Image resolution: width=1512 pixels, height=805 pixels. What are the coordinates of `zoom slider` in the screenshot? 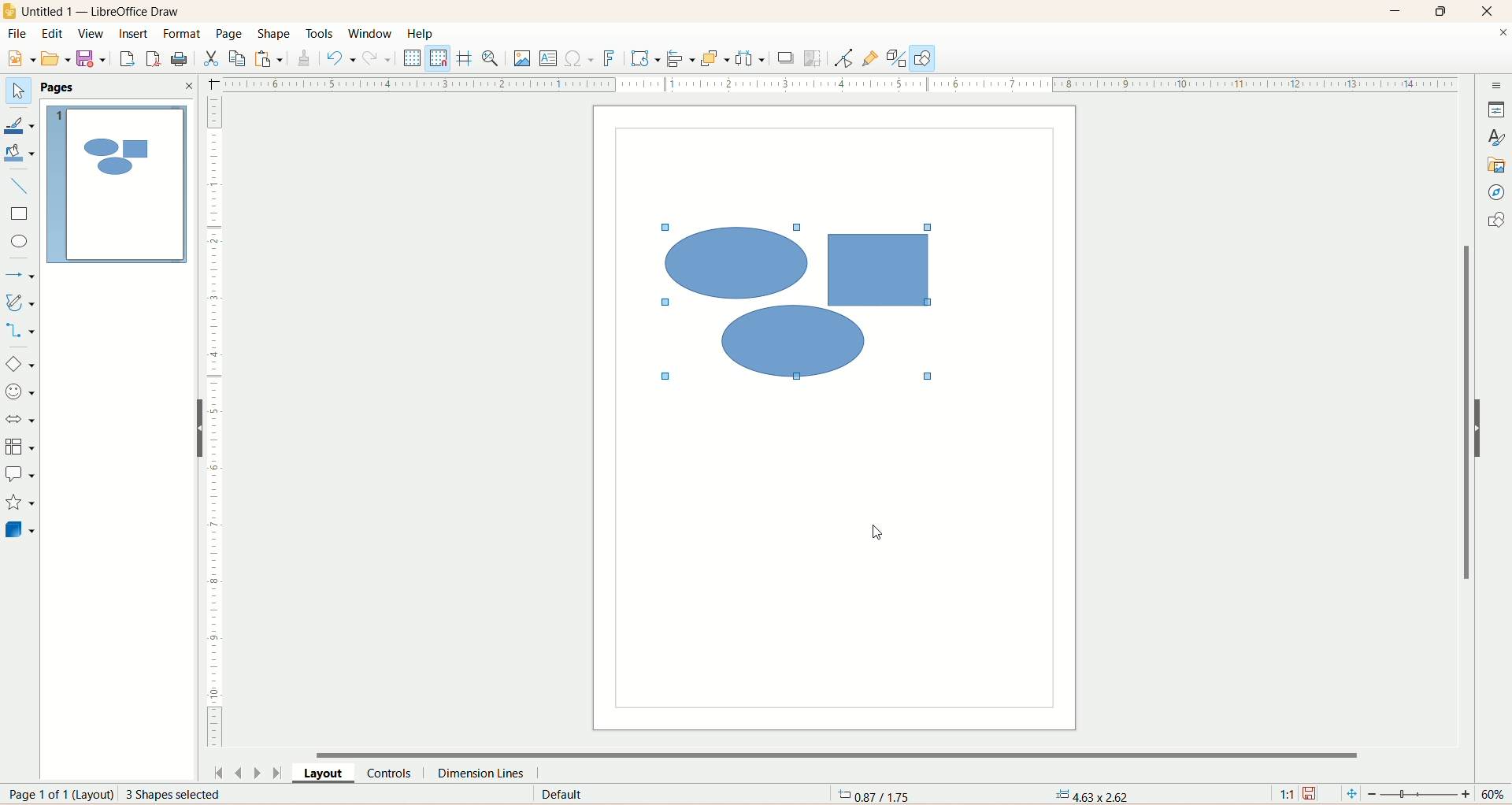 It's located at (1423, 796).